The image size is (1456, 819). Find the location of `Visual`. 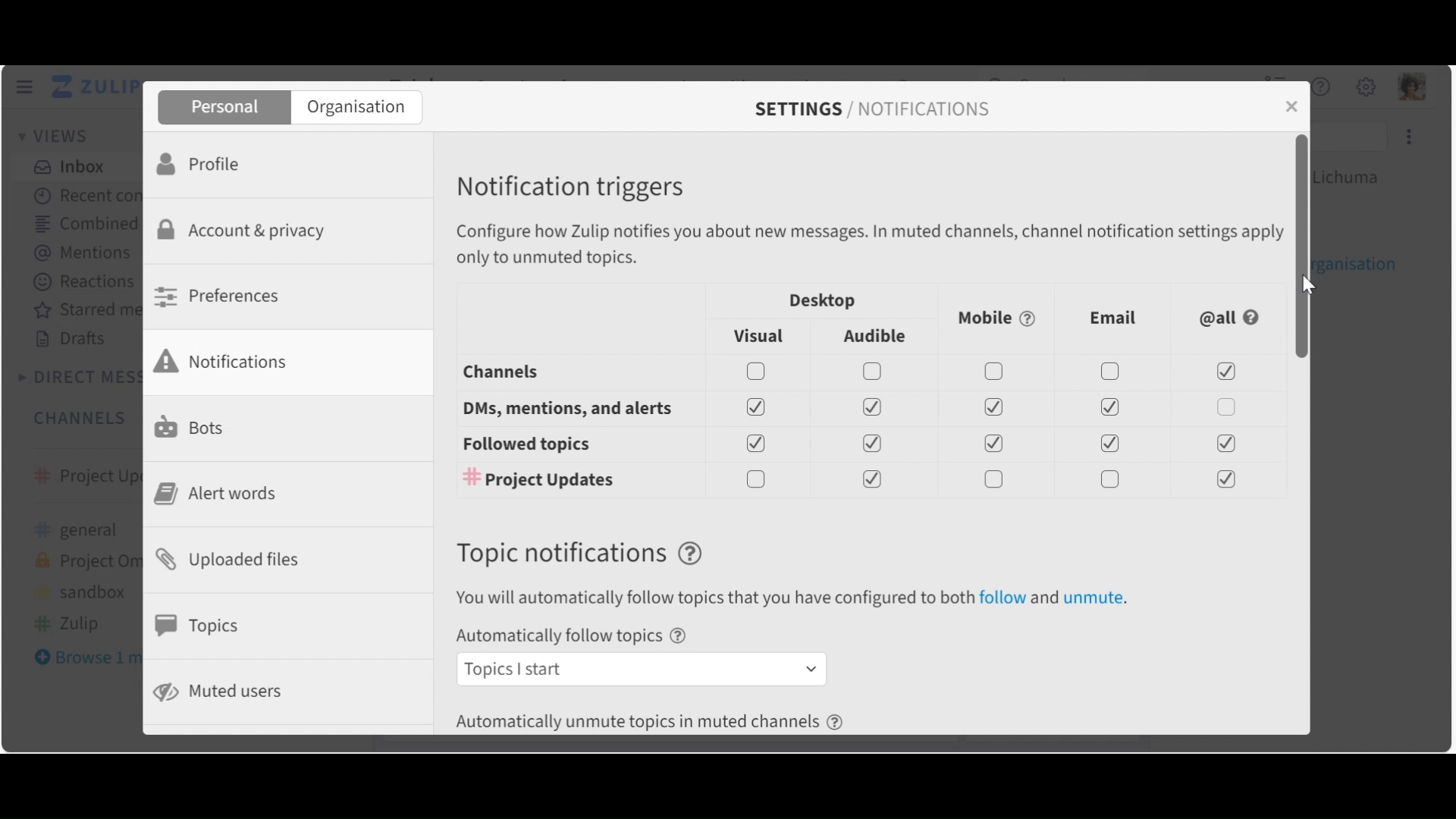

Visual is located at coordinates (756, 334).